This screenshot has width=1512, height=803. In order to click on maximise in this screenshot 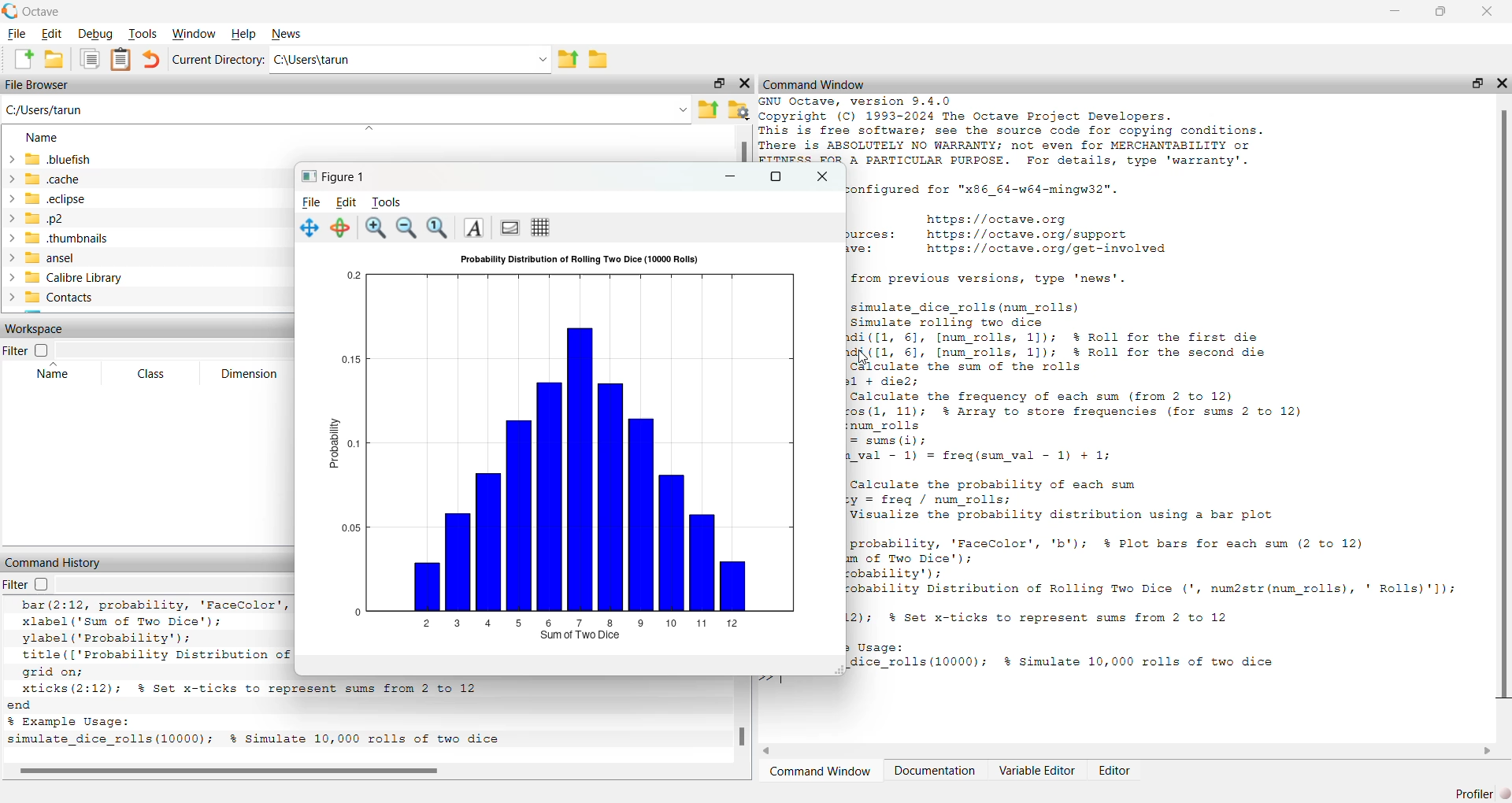, I will do `click(717, 83)`.